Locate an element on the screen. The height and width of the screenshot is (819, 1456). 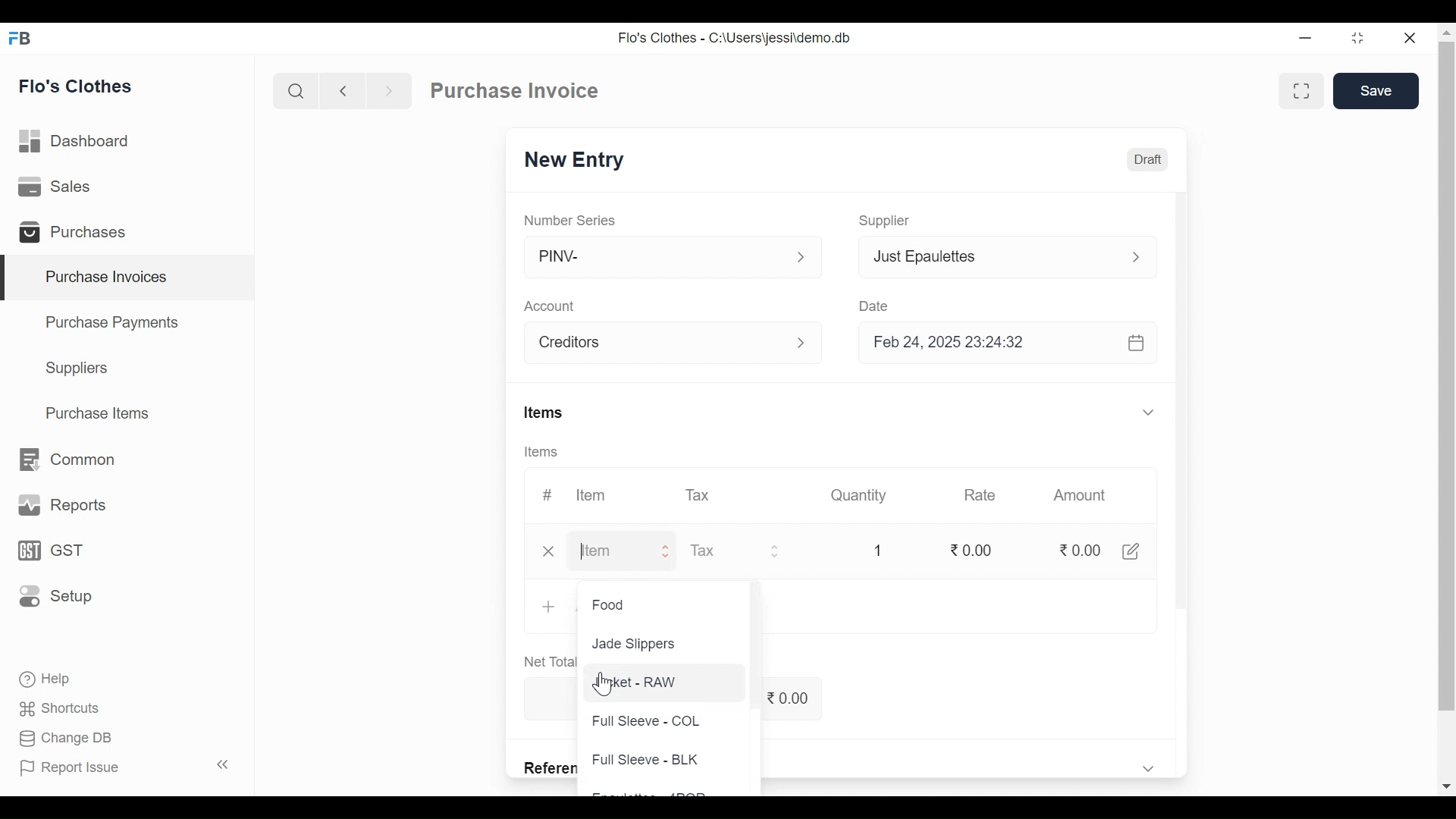
Expand is located at coordinates (670, 551).